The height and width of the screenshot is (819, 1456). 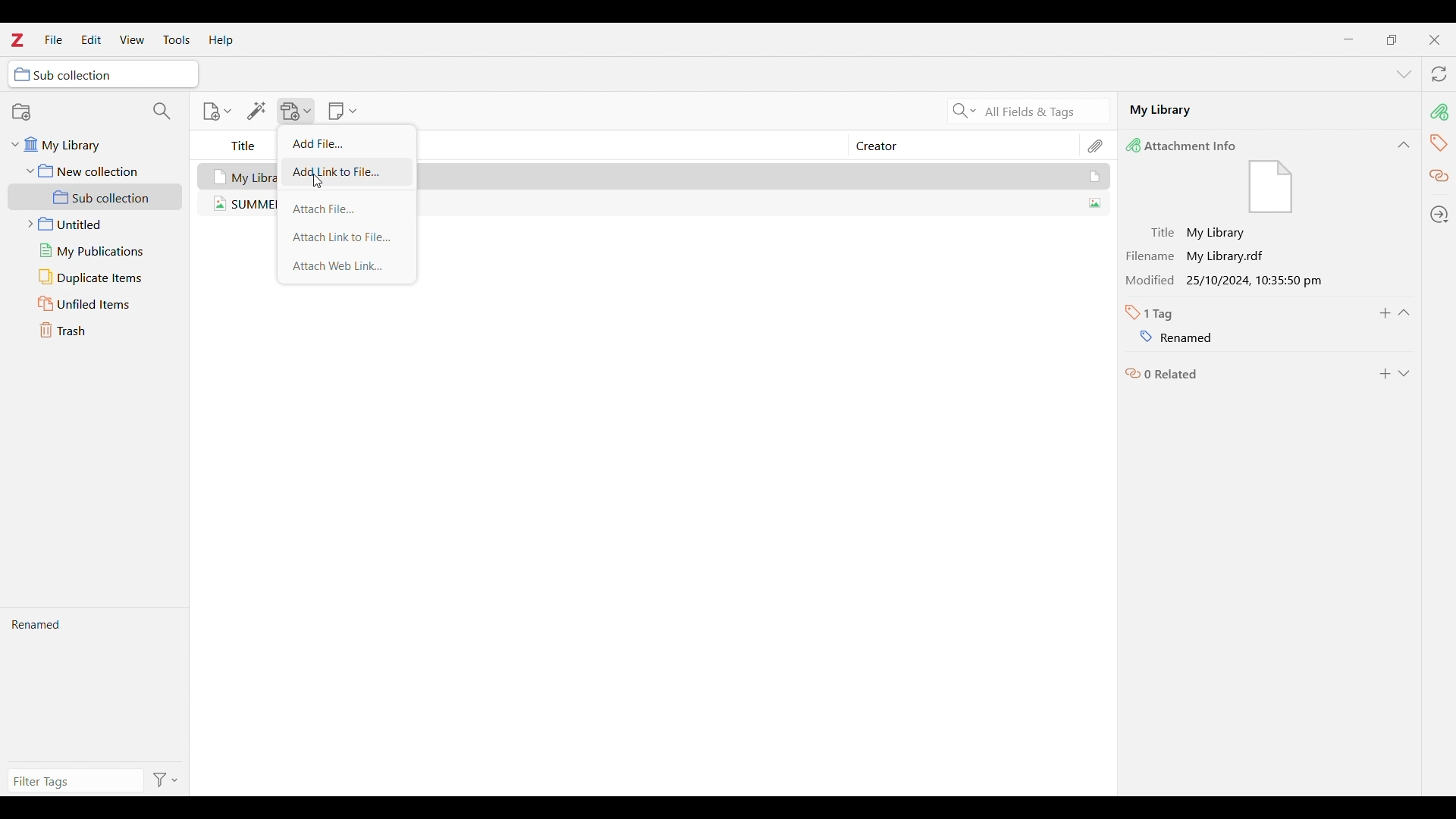 I want to click on Add, so click(x=1385, y=374).